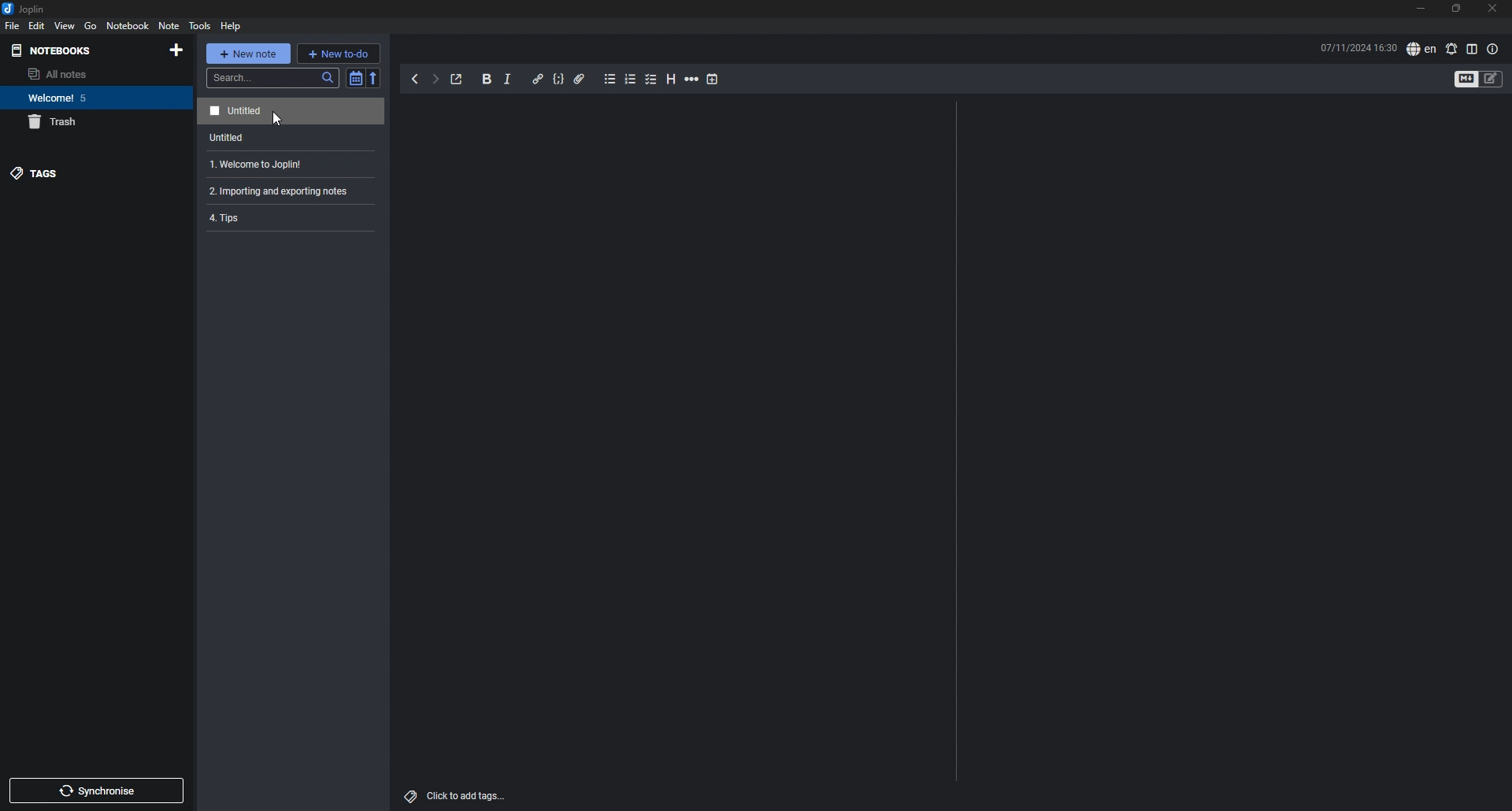 The height and width of the screenshot is (811, 1512). What do you see at coordinates (1421, 10) in the screenshot?
I see `minimize` at bounding box center [1421, 10].